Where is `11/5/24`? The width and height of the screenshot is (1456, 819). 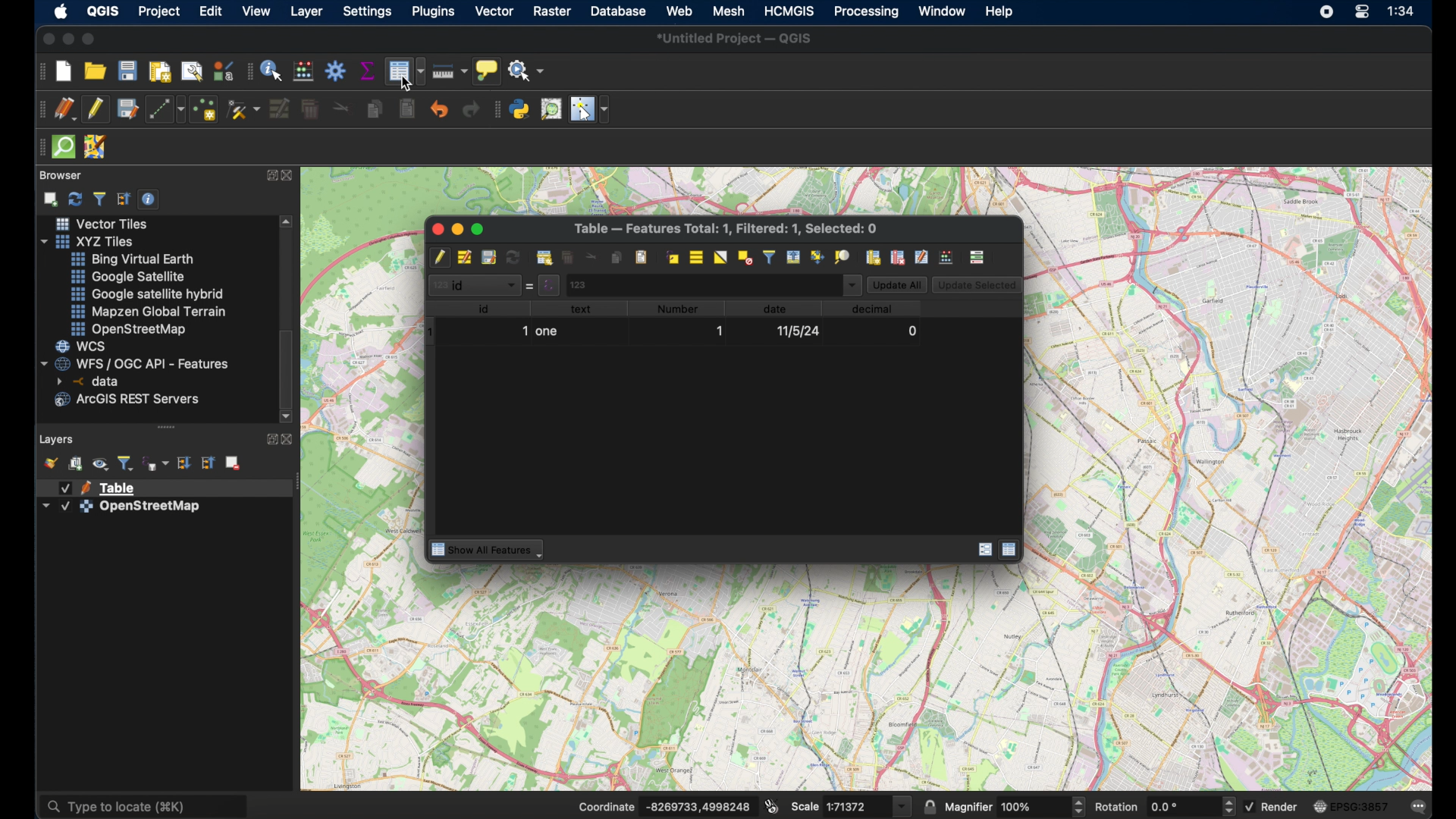
11/5/24 is located at coordinates (799, 331).